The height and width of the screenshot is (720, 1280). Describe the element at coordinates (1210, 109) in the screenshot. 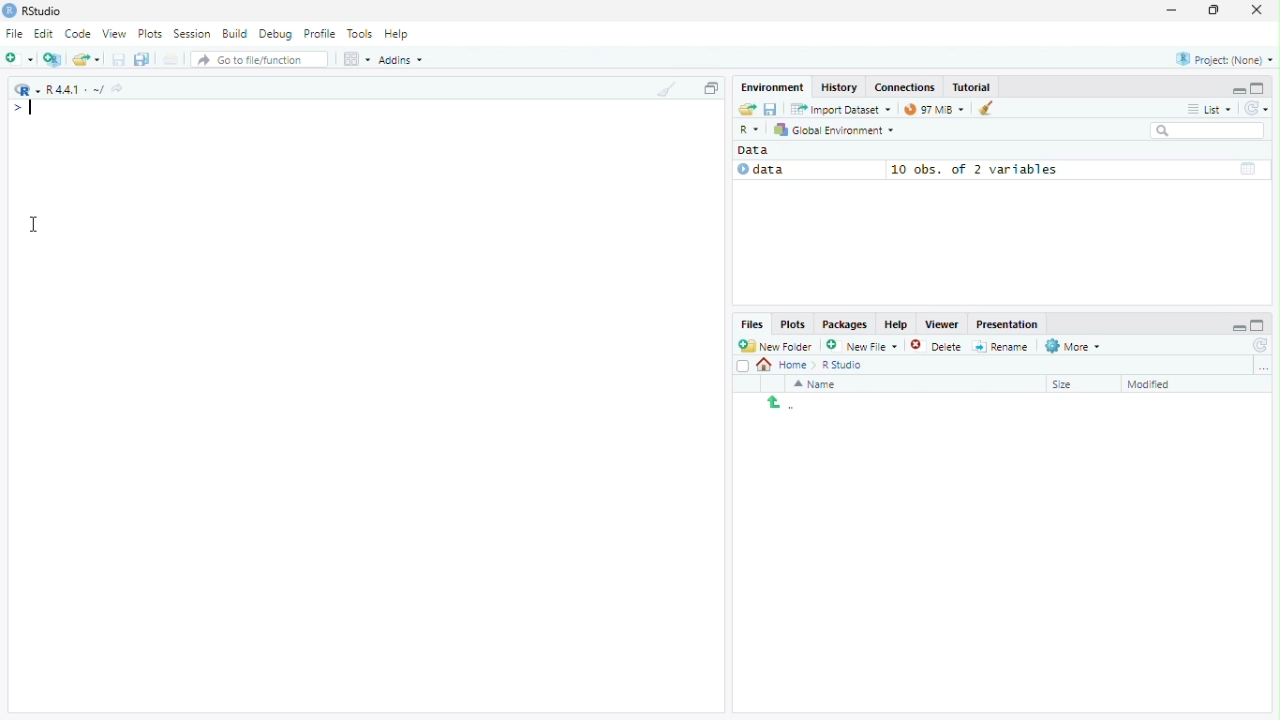

I see `View by list` at that location.